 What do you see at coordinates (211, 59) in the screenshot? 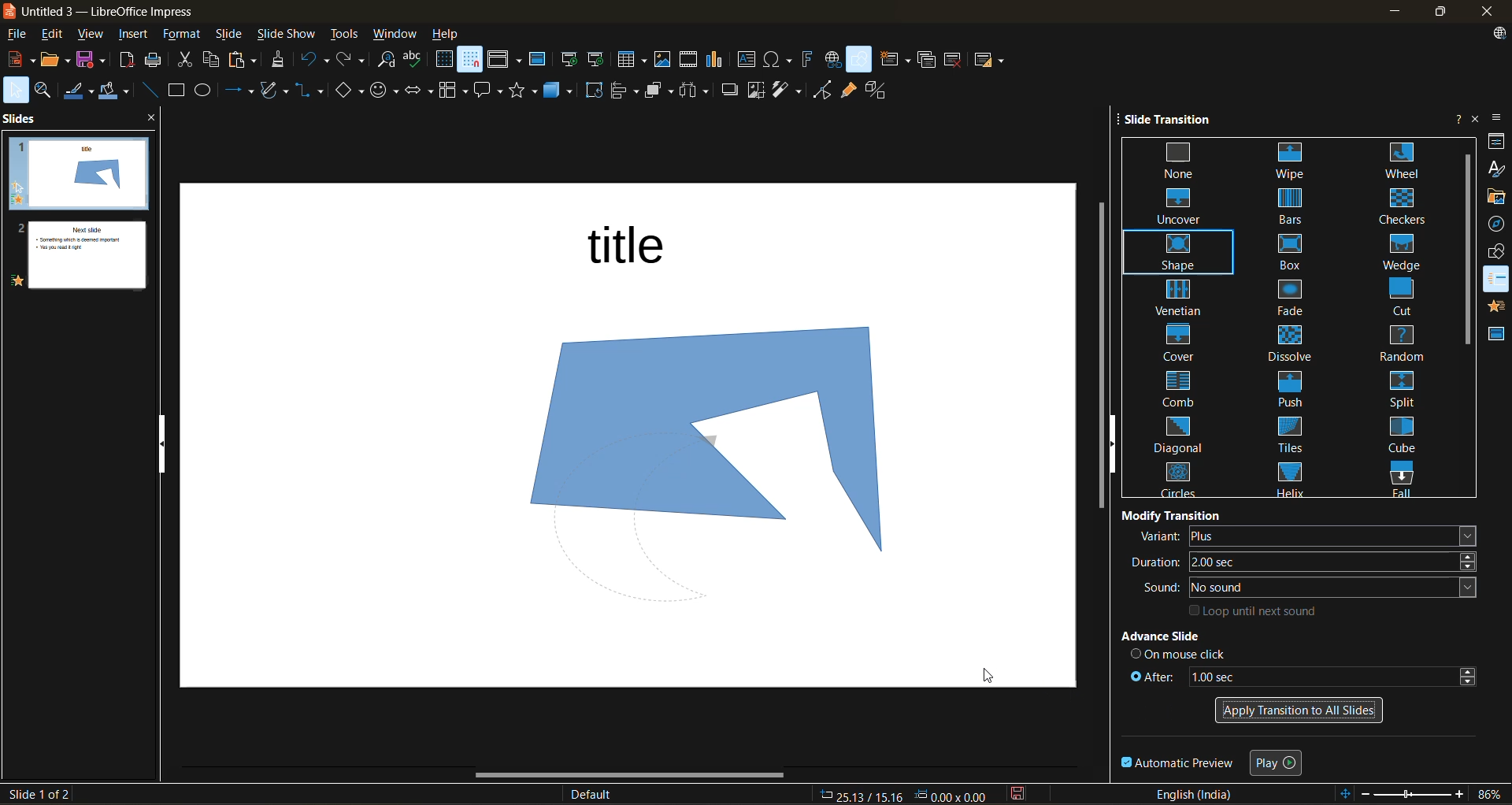
I see `copy` at bounding box center [211, 59].